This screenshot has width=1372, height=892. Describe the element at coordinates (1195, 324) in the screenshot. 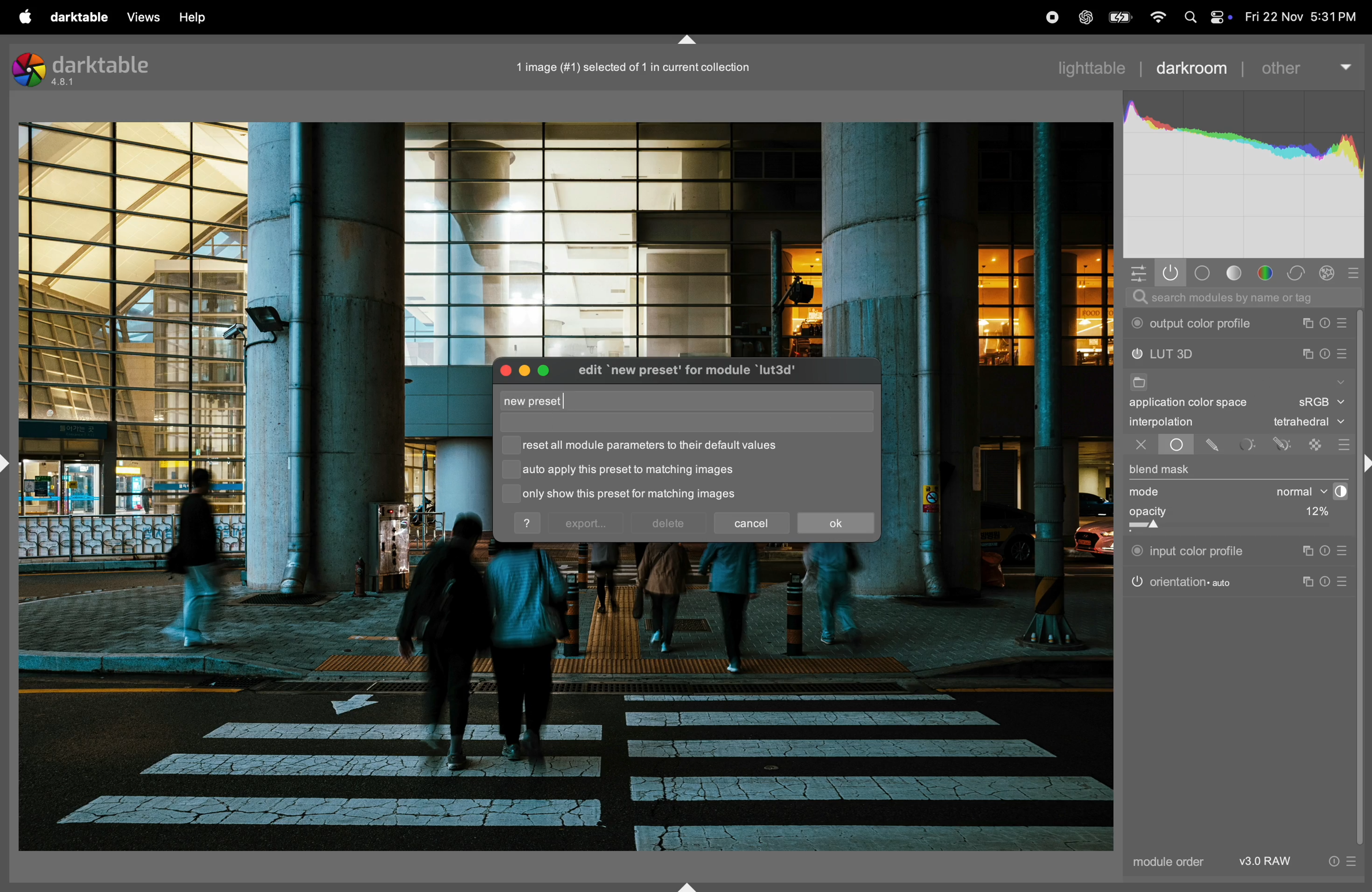

I see `output color profile` at that location.